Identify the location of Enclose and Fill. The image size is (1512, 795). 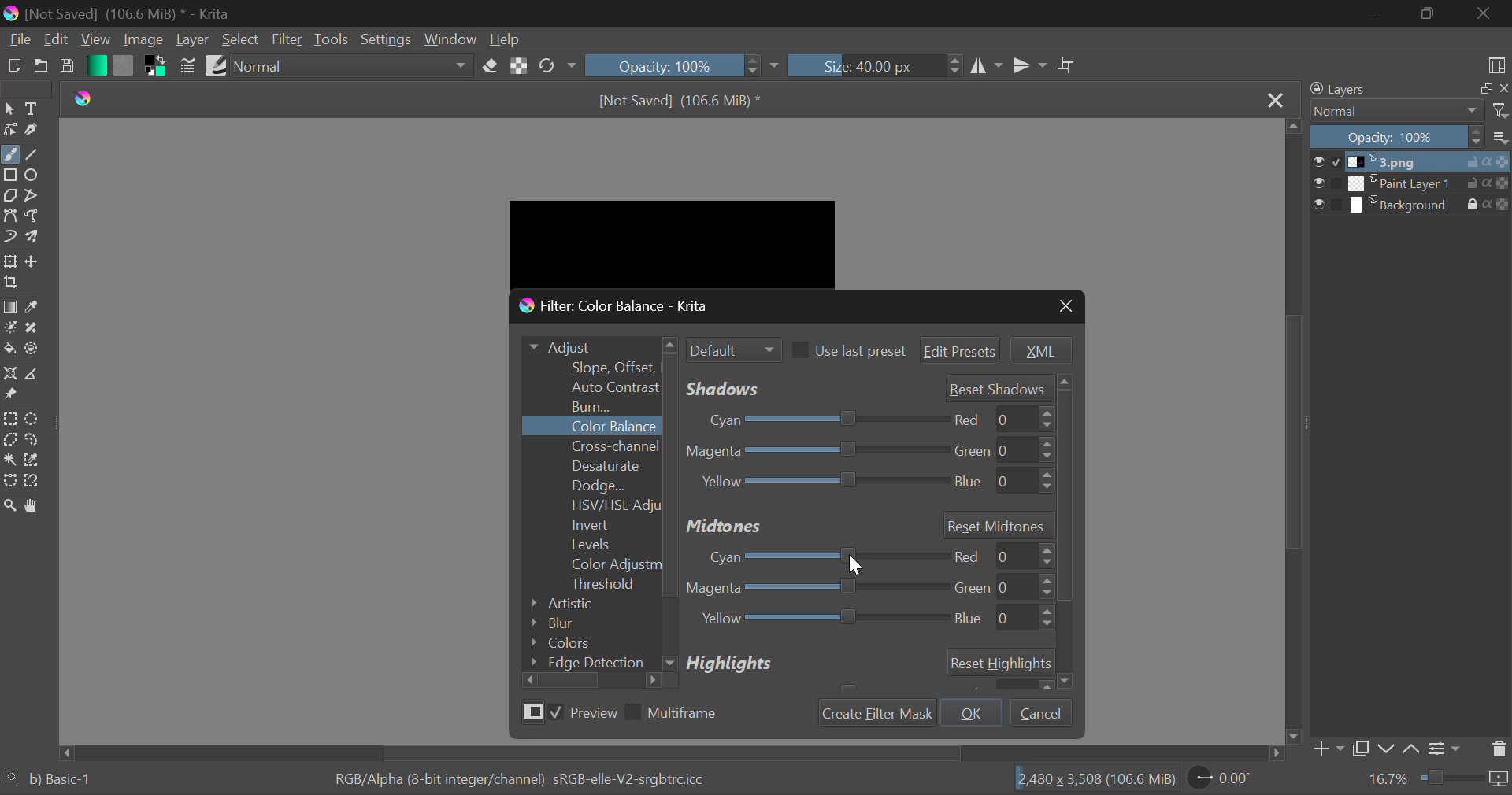
(33, 349).